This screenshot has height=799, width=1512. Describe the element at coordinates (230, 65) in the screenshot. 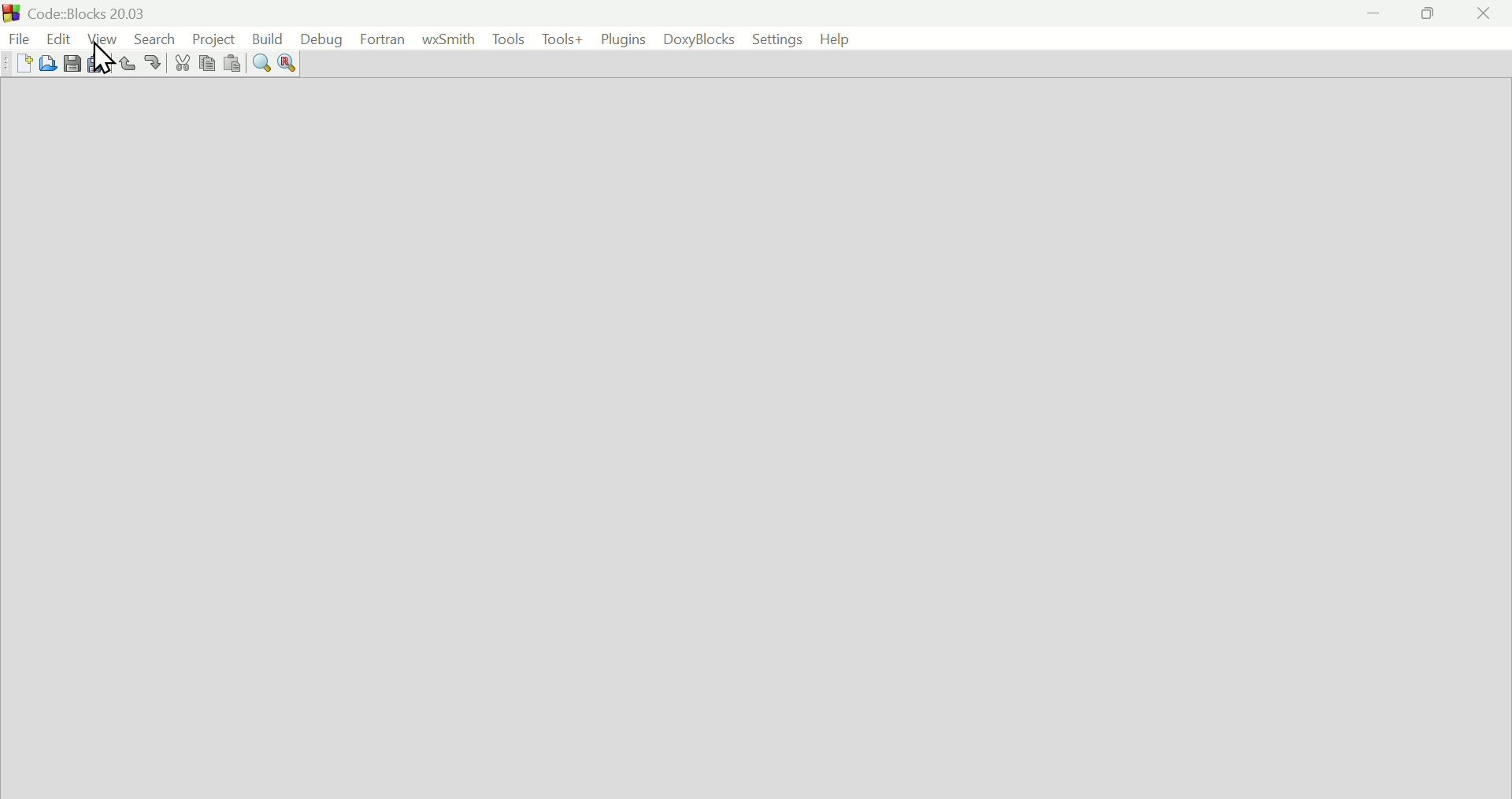

I see `Paste` at that location.